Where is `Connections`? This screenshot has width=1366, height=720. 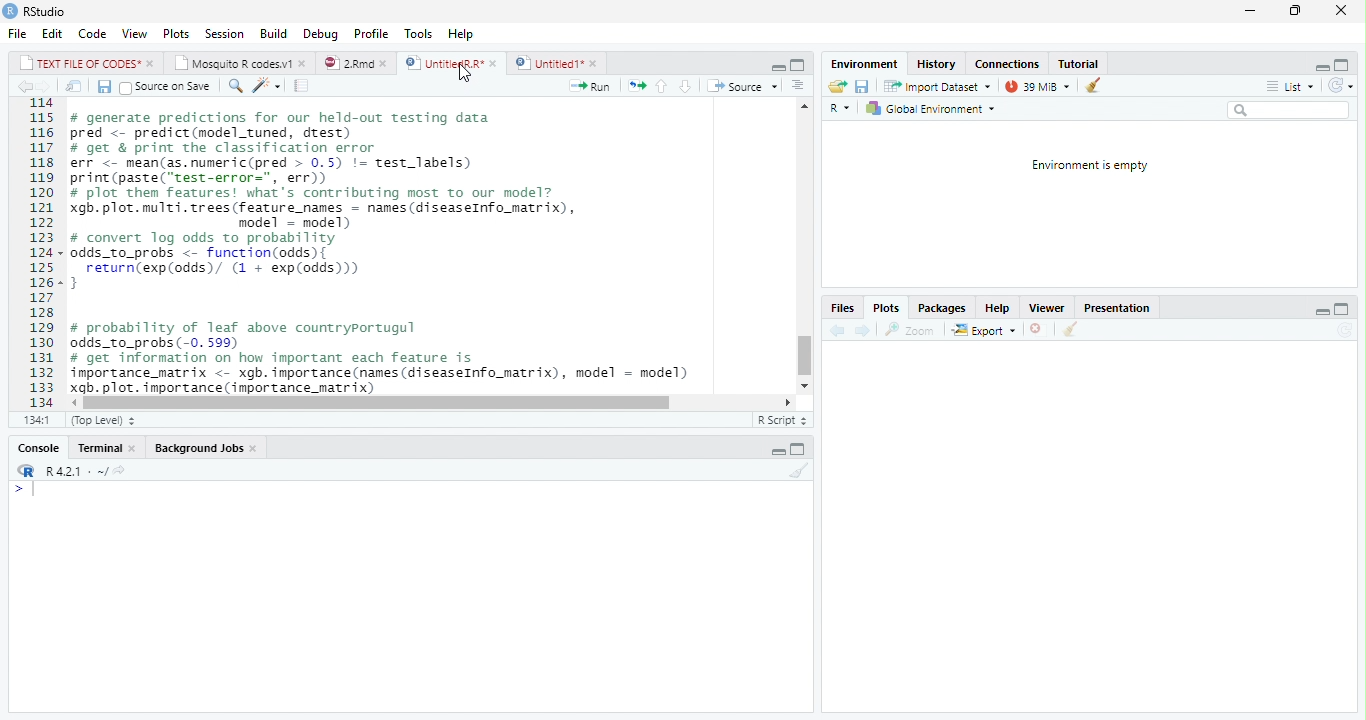 Connections is located at coordinates (1007, 64).